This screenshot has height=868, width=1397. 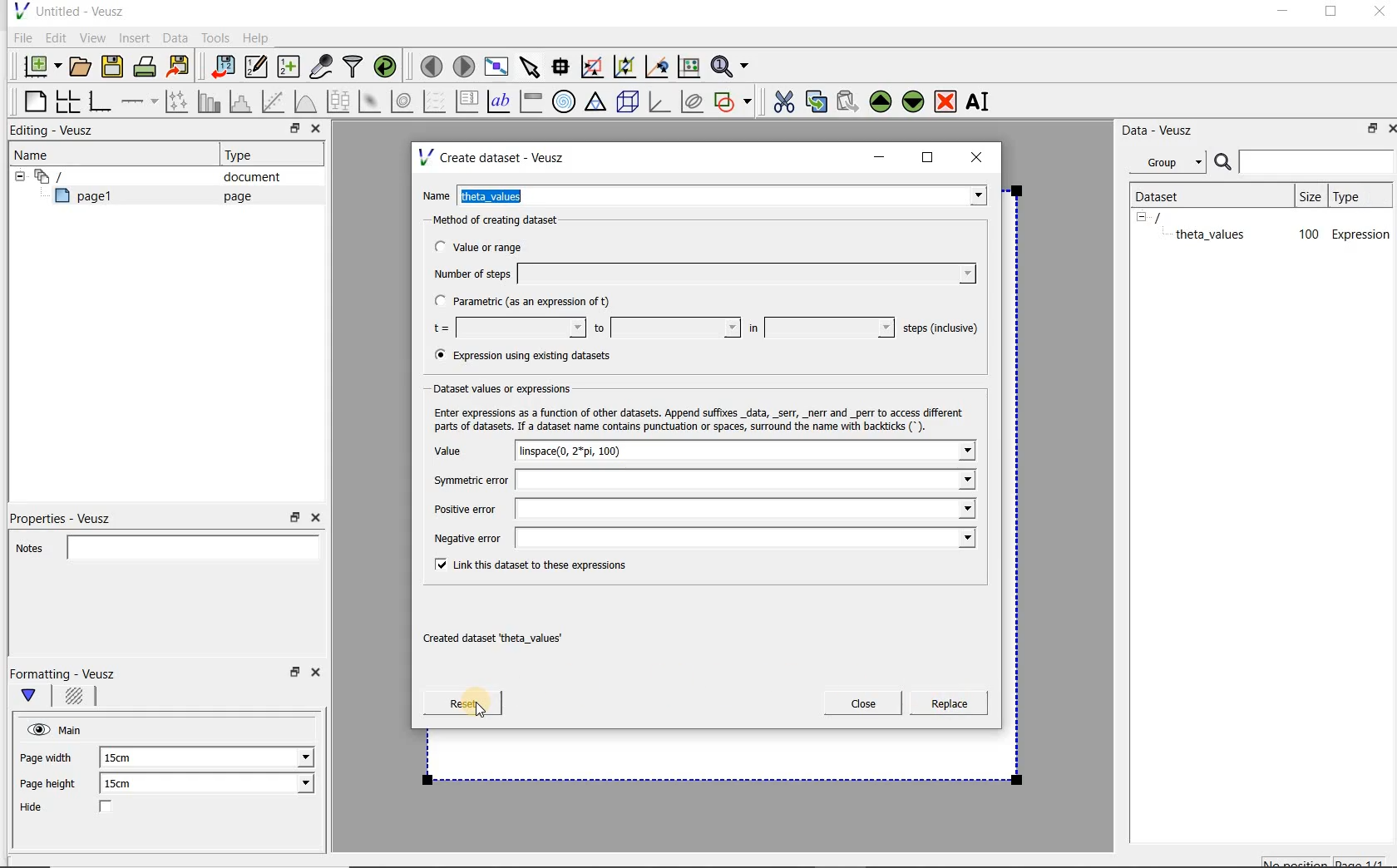 I want to click on save the document, so click(x=116, y=67).